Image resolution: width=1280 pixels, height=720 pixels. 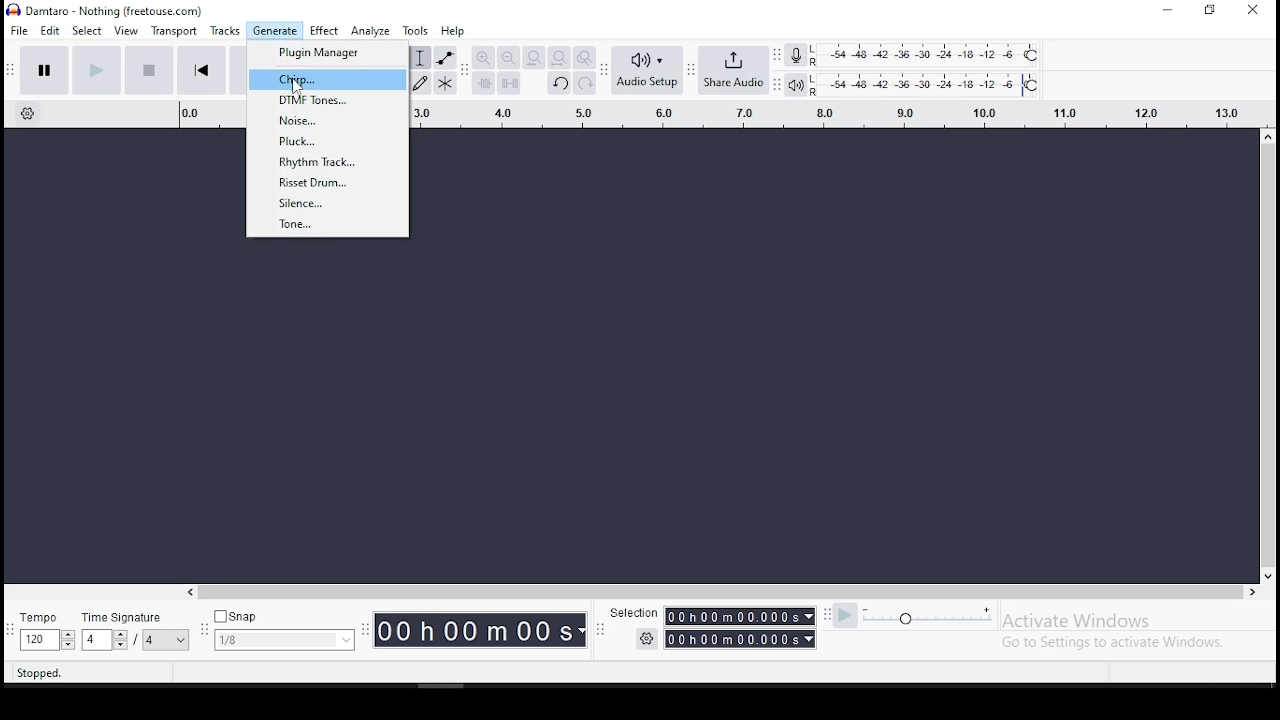 What do you see at coordinates (558, 82) in the screenshot?
I see `undo` at bounding box center [558, 82].